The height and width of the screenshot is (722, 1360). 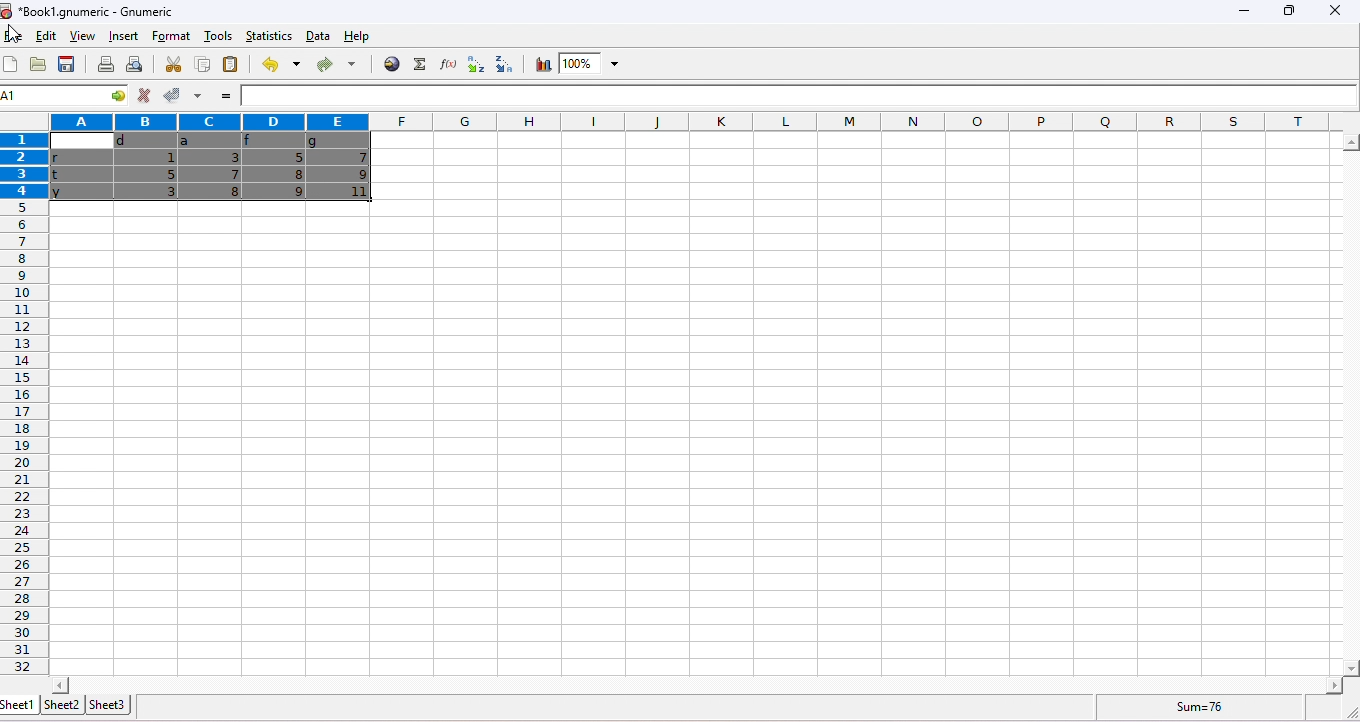 What do you see at coordinates (1204, 706) in the screenshot?
I see `sum=76` at bounding box center [1204, 706].